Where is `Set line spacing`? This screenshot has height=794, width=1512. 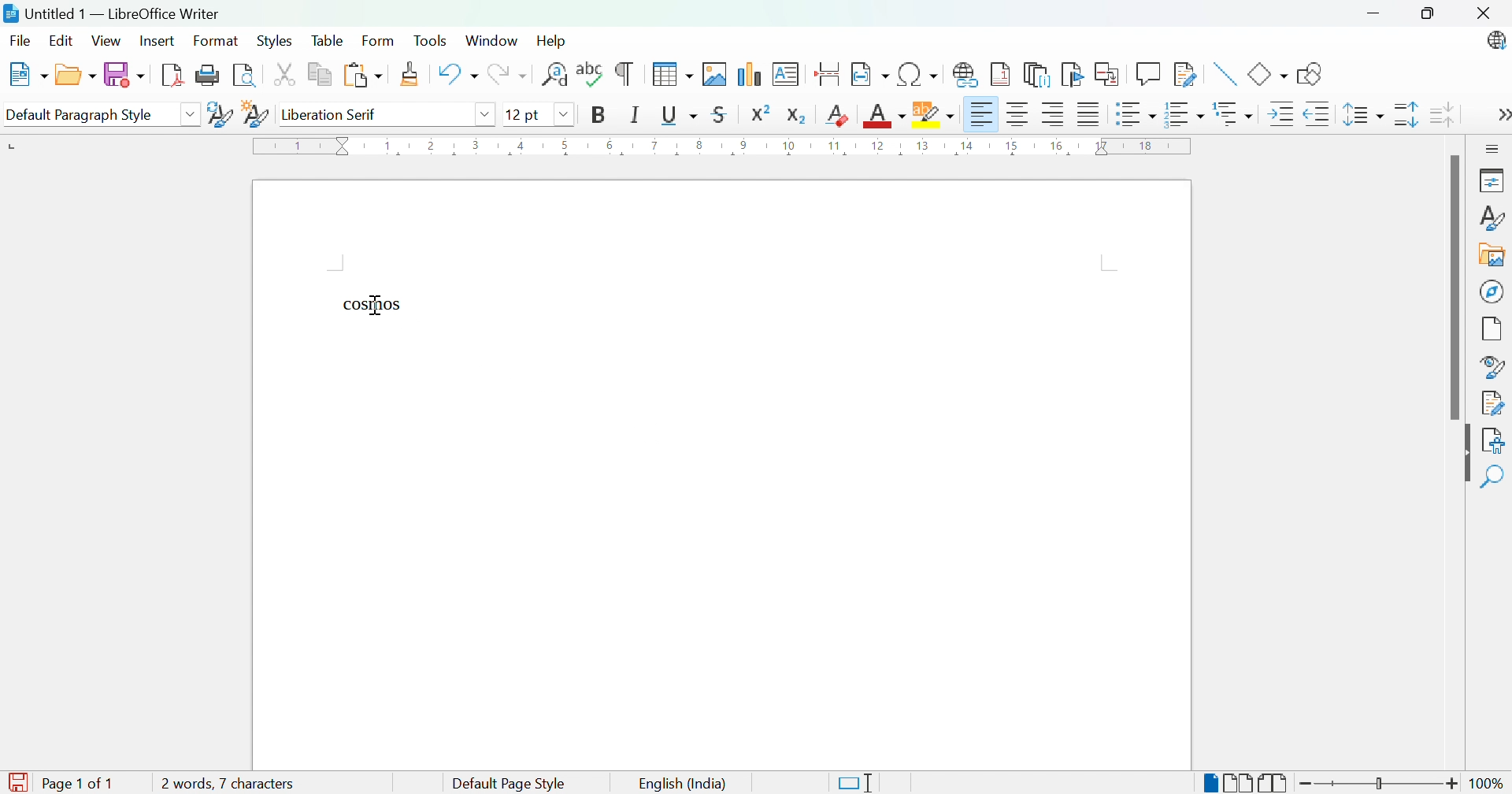
Set line spacing is located at coordinates (1362, 114).